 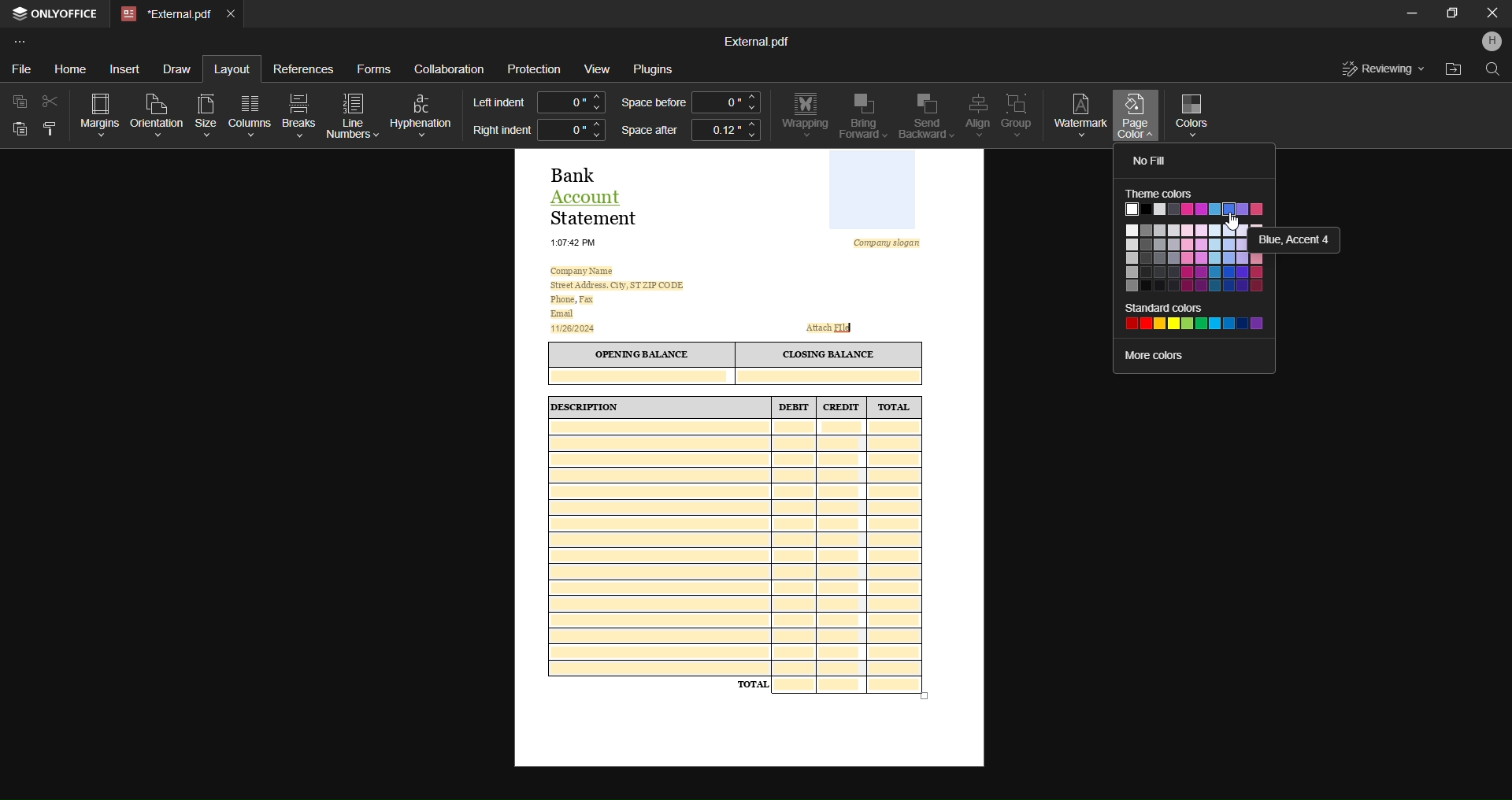 What do you see at coordinates (1492, 15) in the screenshot?
I see `Close` at bounding box center [1492, 15].